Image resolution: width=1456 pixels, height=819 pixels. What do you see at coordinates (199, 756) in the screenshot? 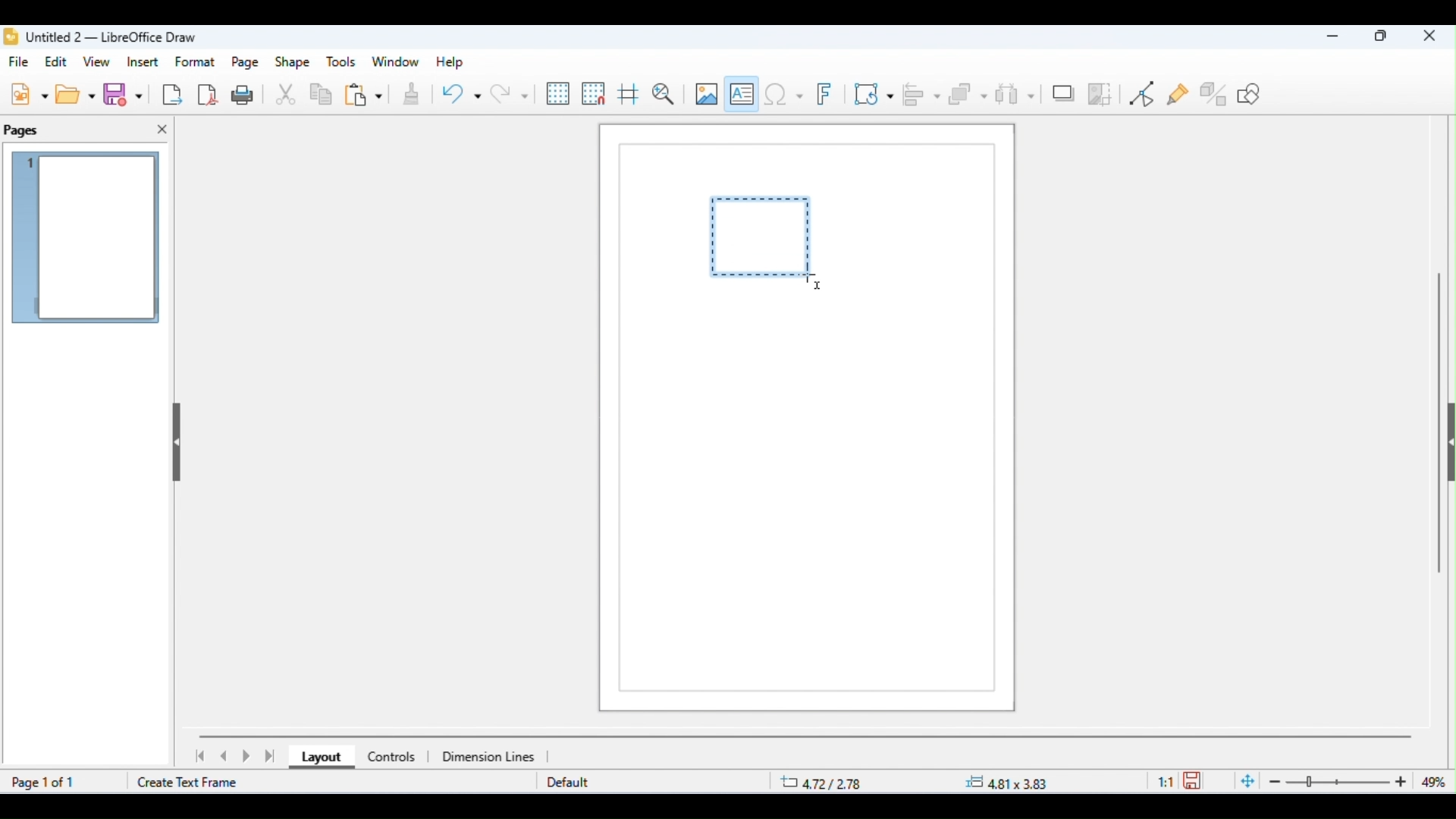
I see `first page` at bounding box center [199, 756].